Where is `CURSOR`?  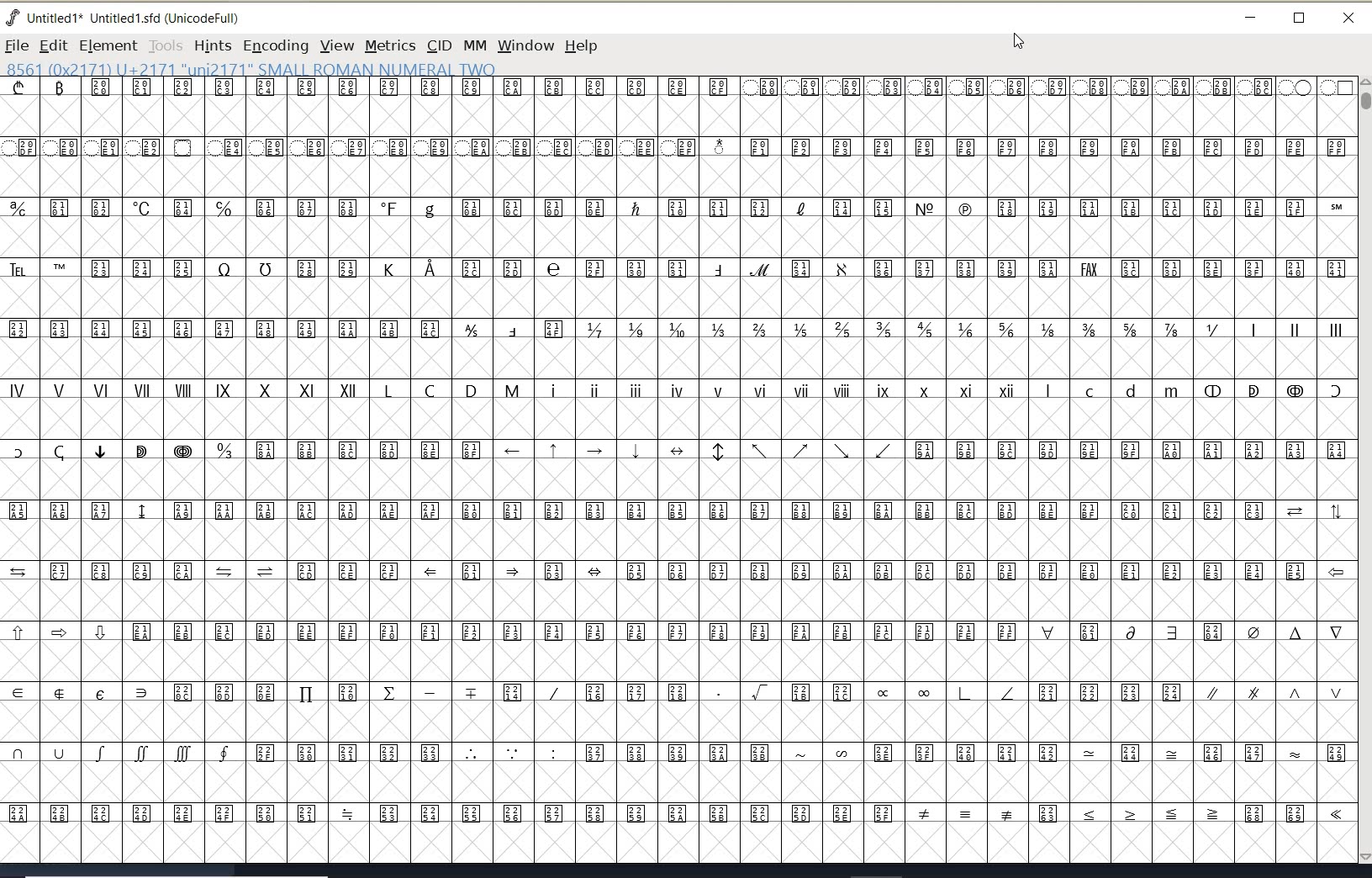 CURSOR is located at coordinates (1017, 42).